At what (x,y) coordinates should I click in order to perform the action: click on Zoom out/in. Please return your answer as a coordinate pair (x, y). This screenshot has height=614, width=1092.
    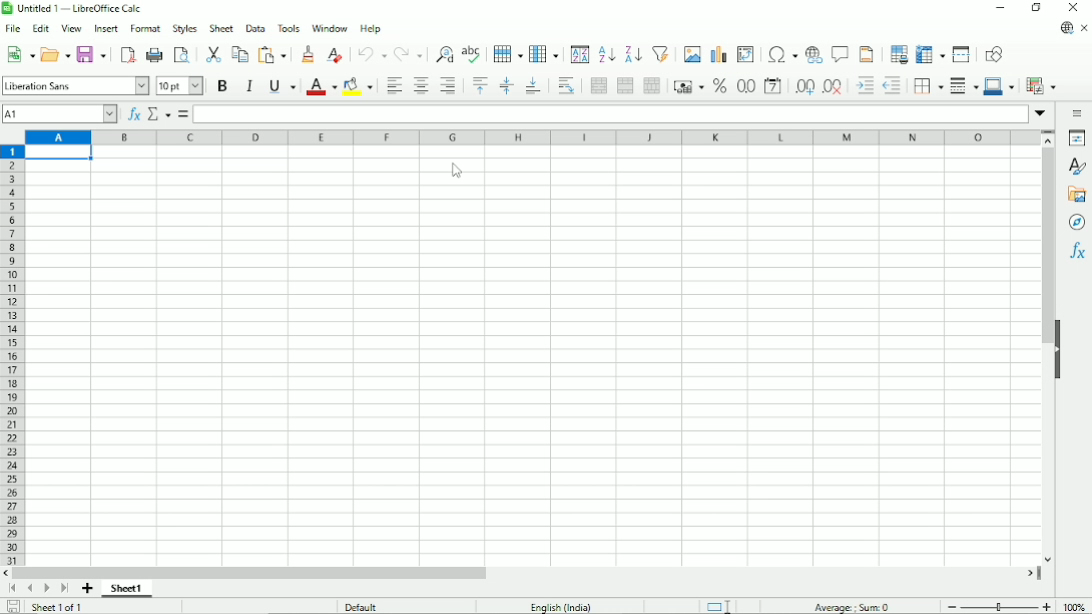
    Looking at the image, I should click on (1000, 606).